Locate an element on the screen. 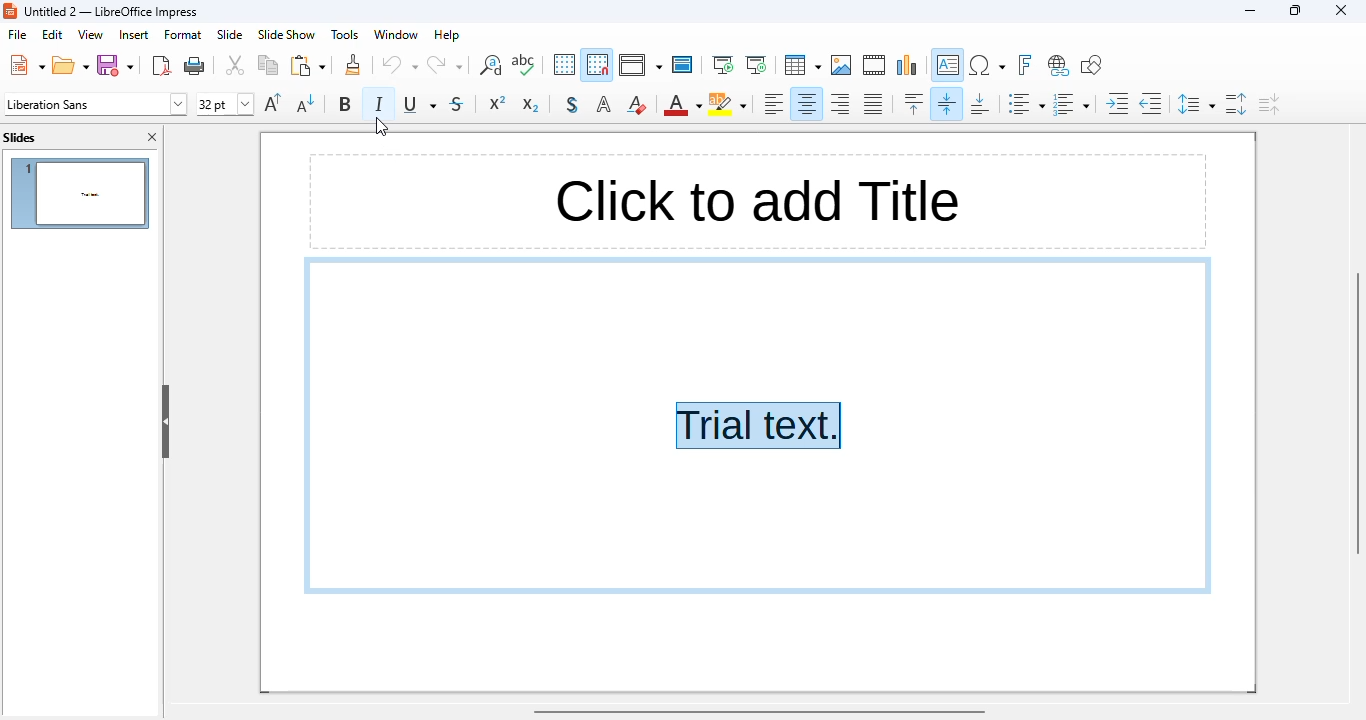 The width and height of the screenshot is (1366, 720). logo is located at coordinates (10, 11).